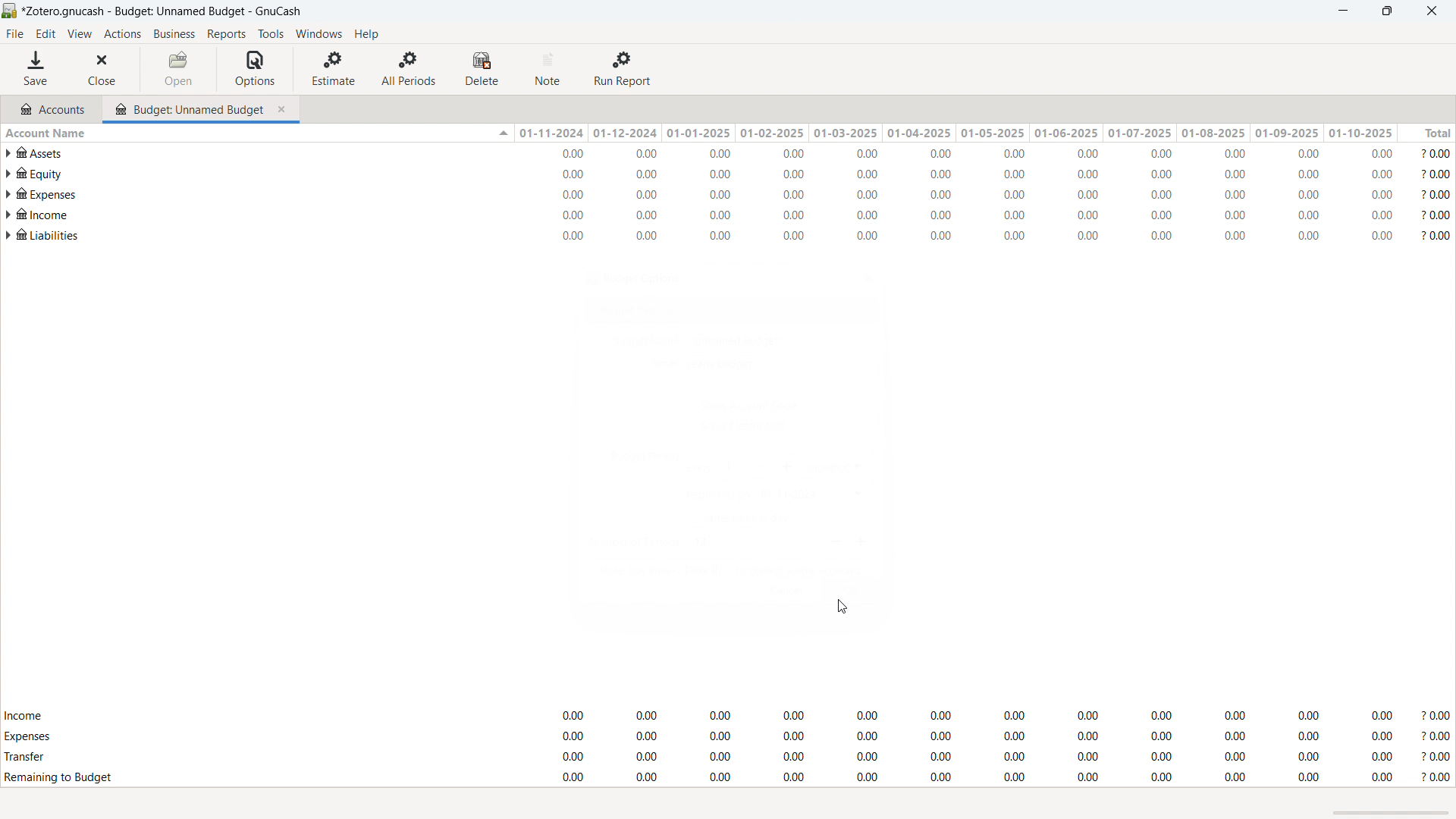 This screenshot has width=1456, height=819. Describe the element at coordinates (728, 736) in the screenshot. I see `expenses total` at that location.